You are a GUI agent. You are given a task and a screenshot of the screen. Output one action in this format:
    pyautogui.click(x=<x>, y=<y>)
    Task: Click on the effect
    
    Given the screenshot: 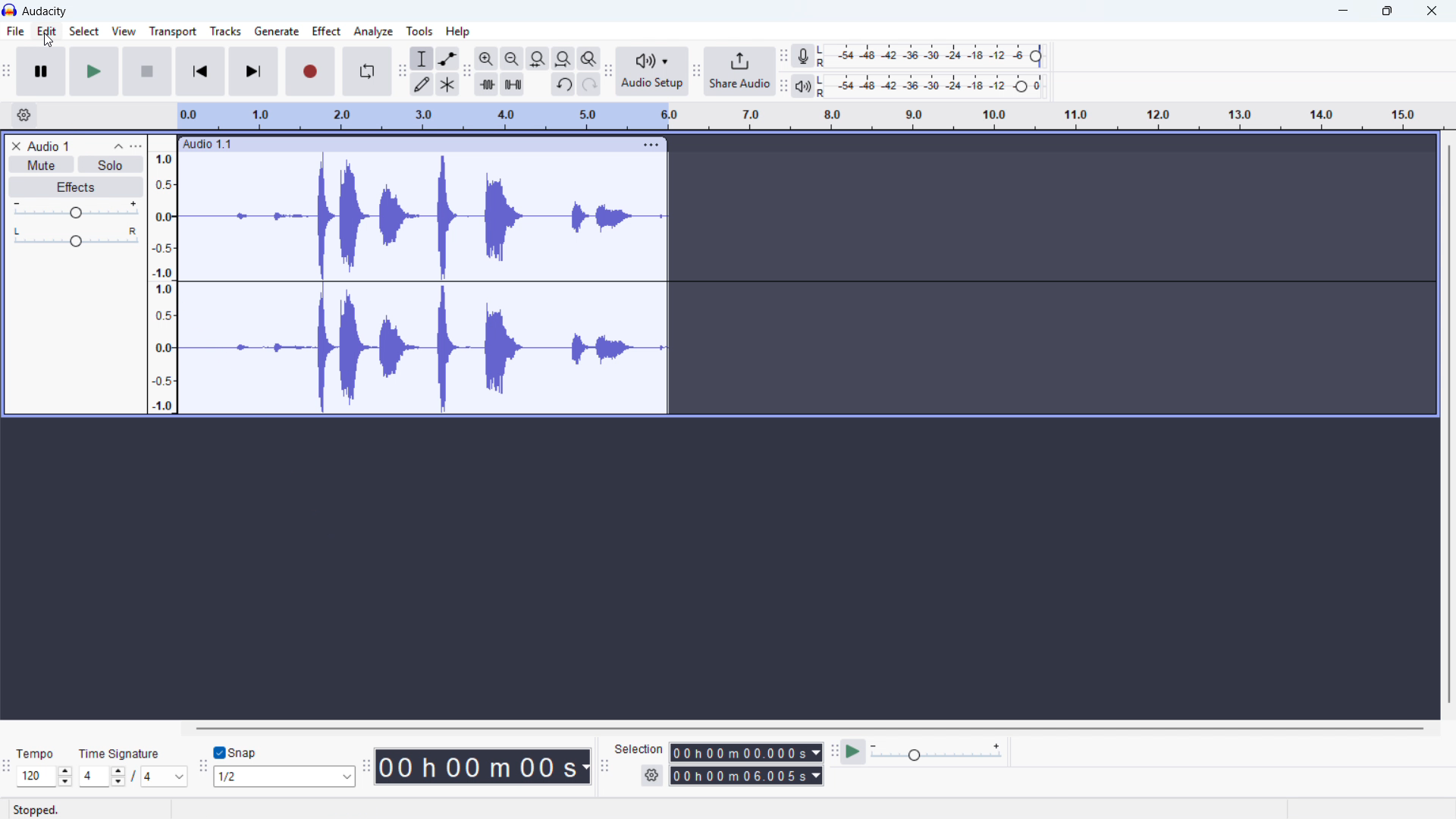 What is the action you would take?
    pyautogui.click(x=74, y=187)
    